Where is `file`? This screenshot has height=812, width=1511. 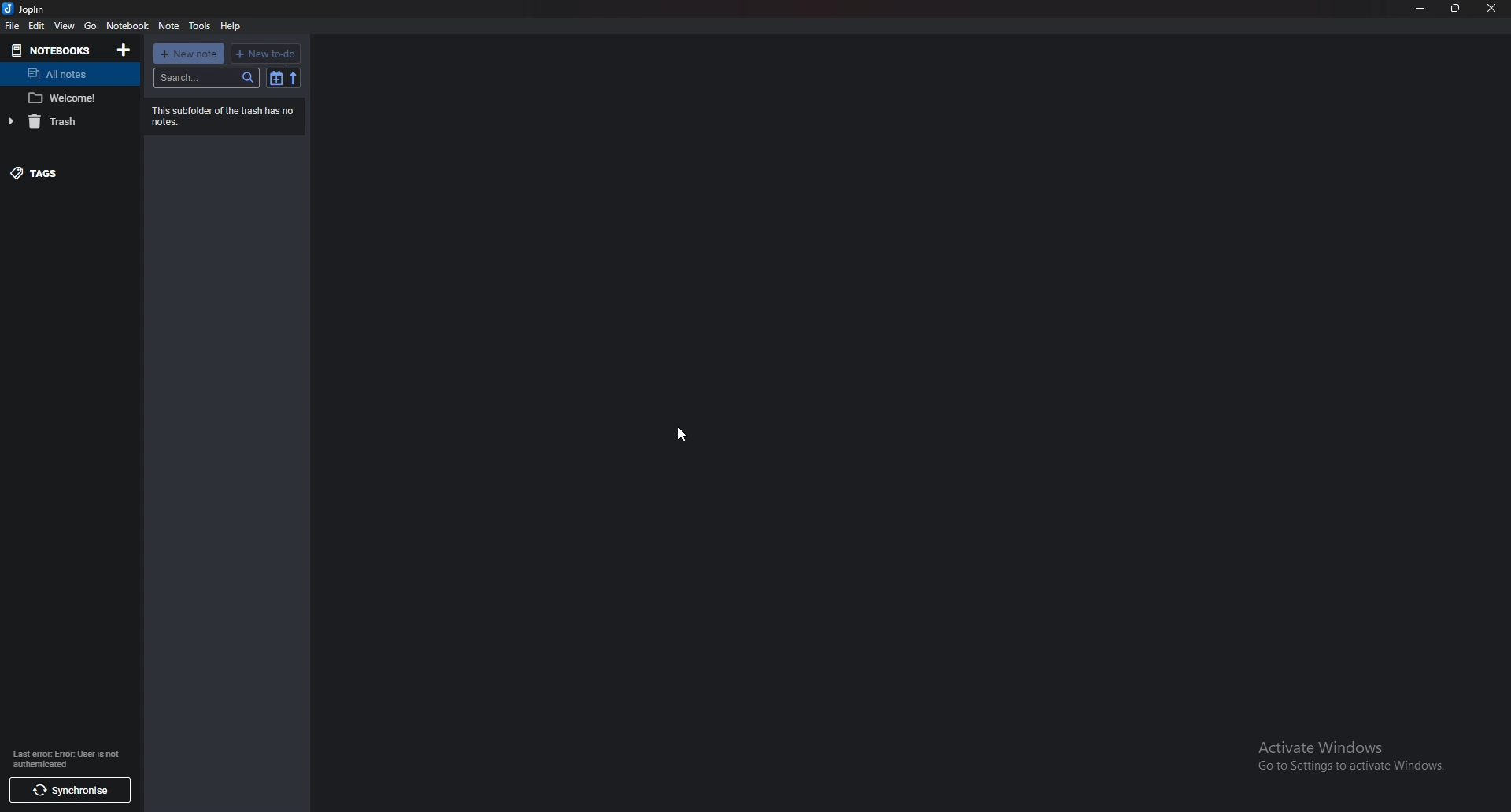
file is located at coordinates (12, 26).